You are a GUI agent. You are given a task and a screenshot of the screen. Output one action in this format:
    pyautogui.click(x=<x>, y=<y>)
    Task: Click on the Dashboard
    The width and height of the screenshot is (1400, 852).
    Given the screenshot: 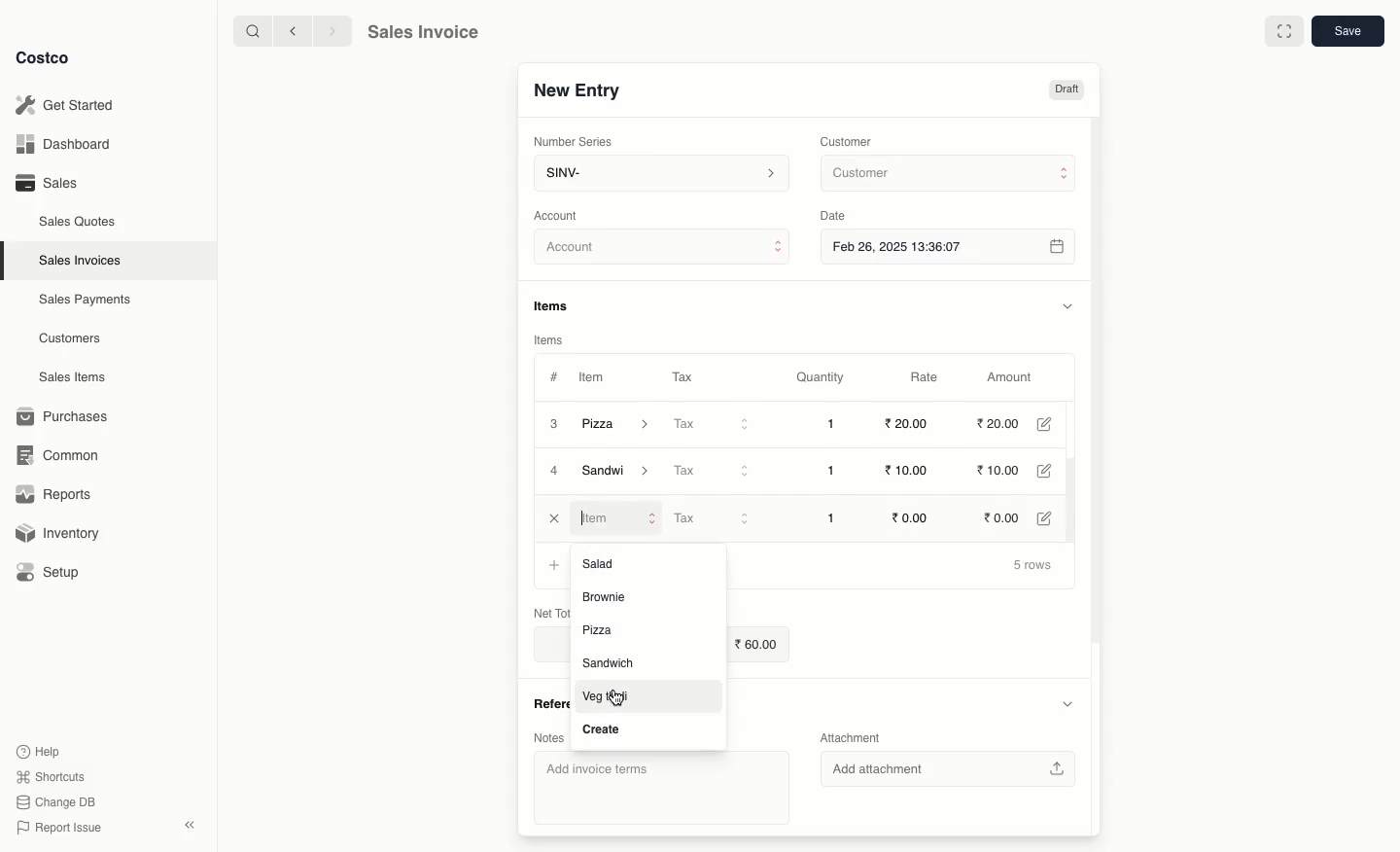 What is the action you would take?
    pyautogui.click(x=60, y=145)
    